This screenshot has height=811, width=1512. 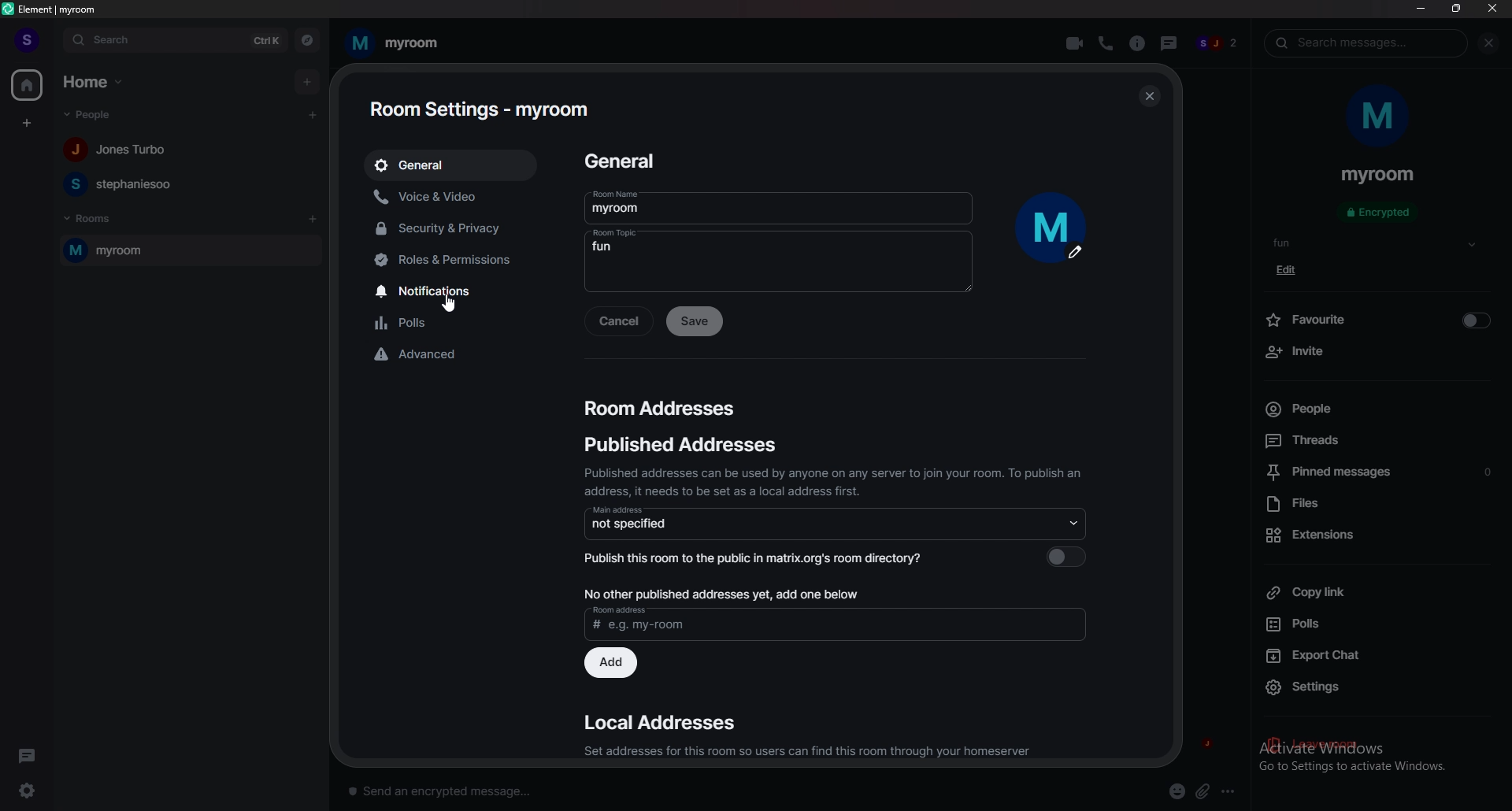 I want to click on roles and permissions, so click(x=460, y=261).